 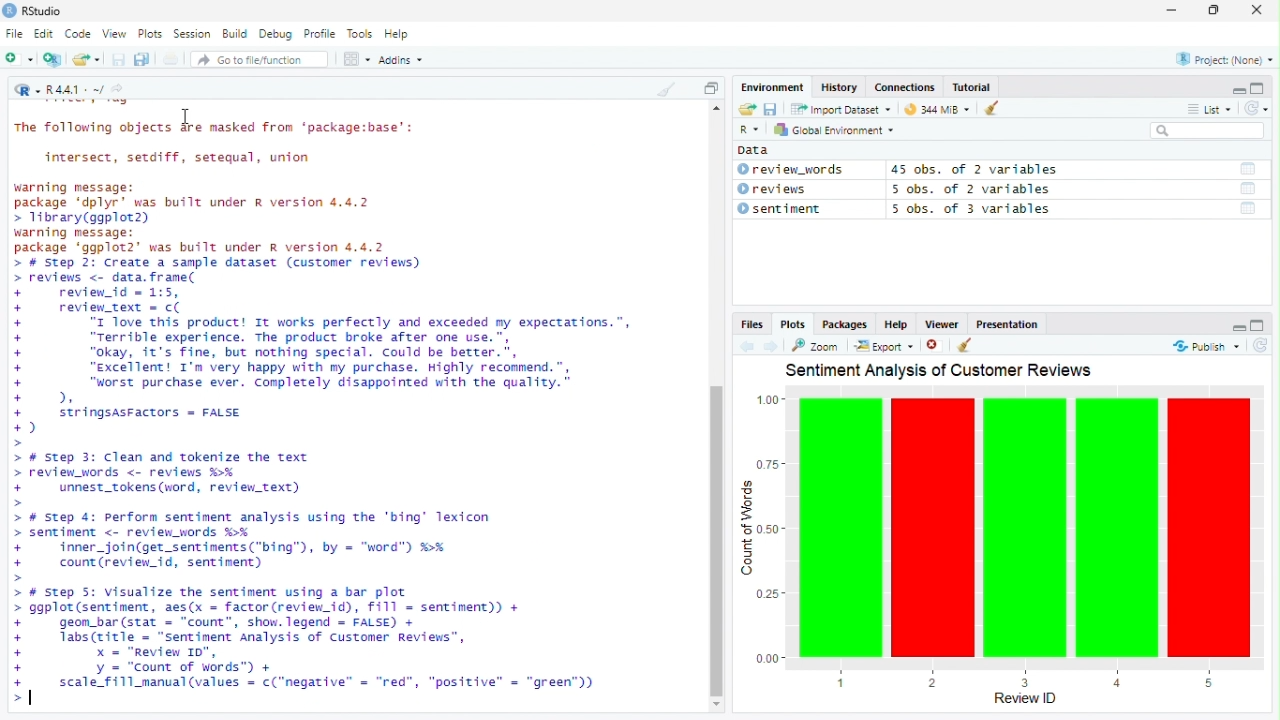 What do you see at coordinates (1257, 88) in the screenshot?
I see `Maximize` at bounding box center [1257, 88].